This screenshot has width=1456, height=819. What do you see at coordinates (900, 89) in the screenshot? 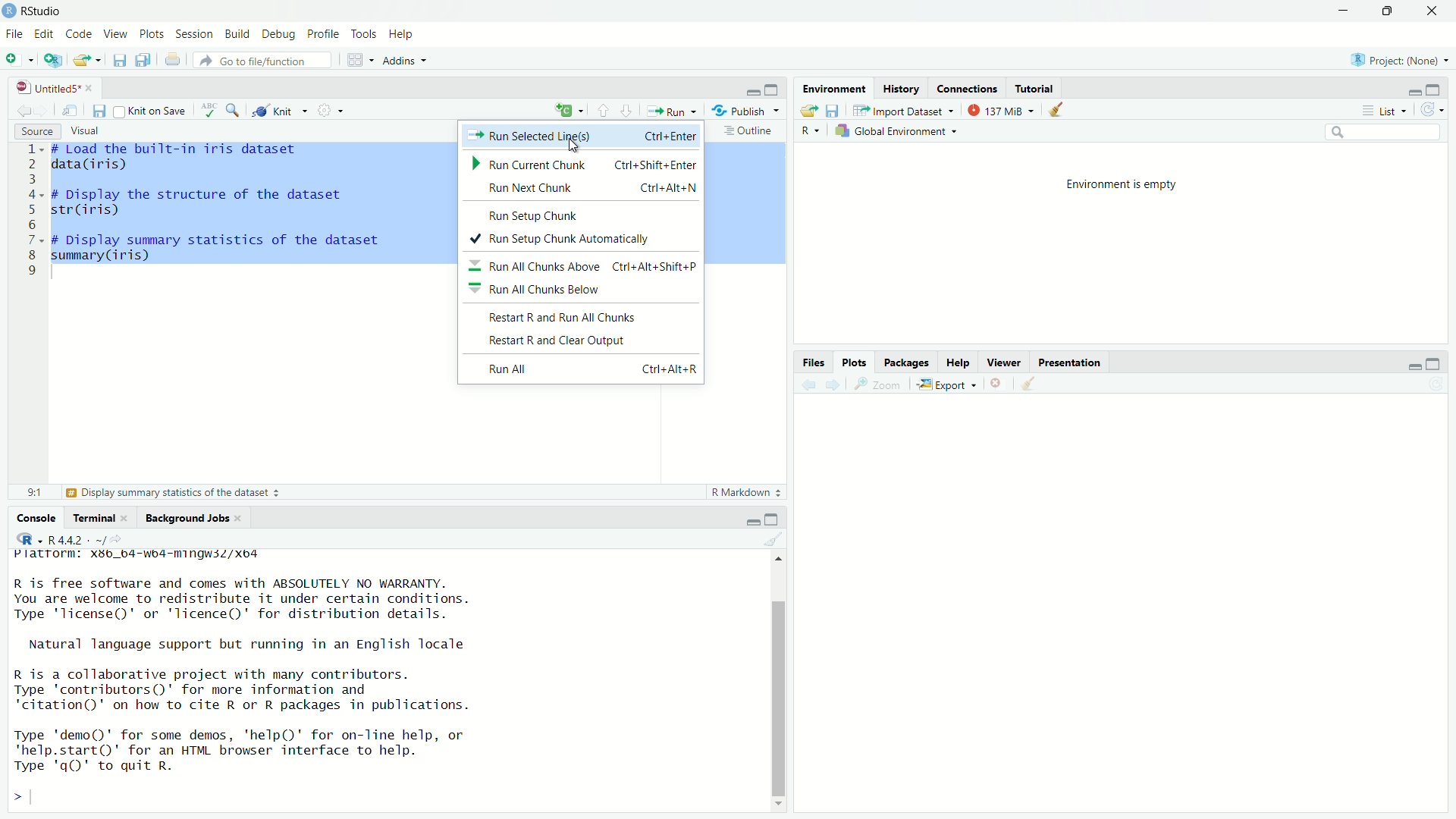
I see `History` at bounding box center [900, 89].